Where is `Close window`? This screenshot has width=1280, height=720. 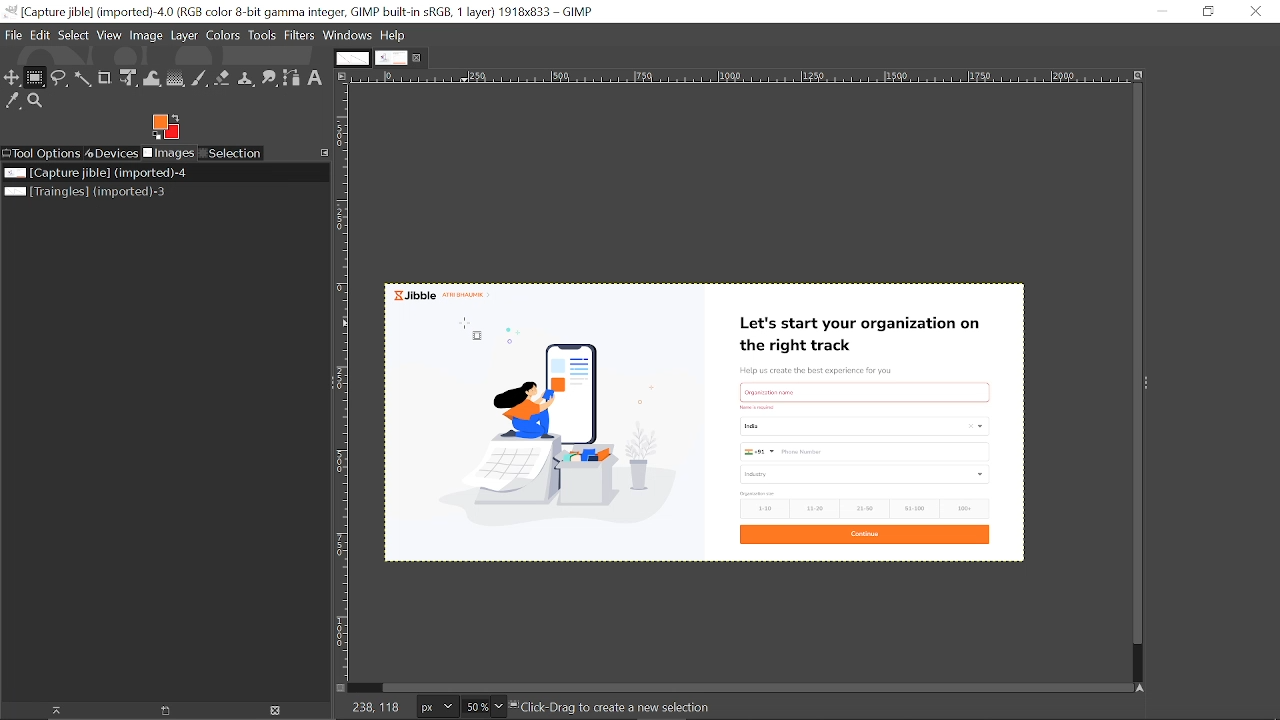
Close window is located at coordinates (1257, 11).